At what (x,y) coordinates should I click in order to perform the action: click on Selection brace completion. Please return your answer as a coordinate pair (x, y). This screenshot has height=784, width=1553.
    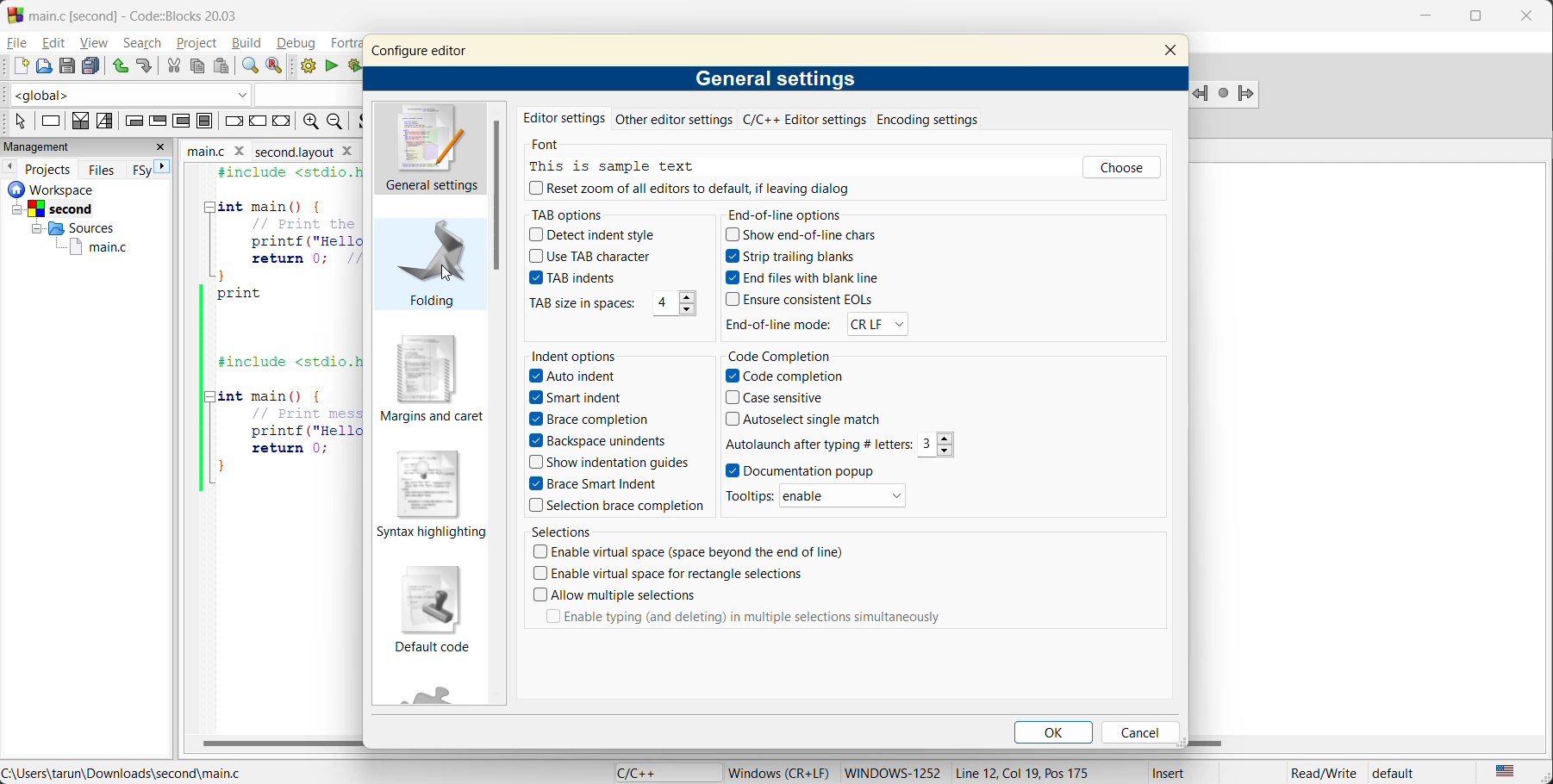
    Looking at the image, I should click on (621, 506).